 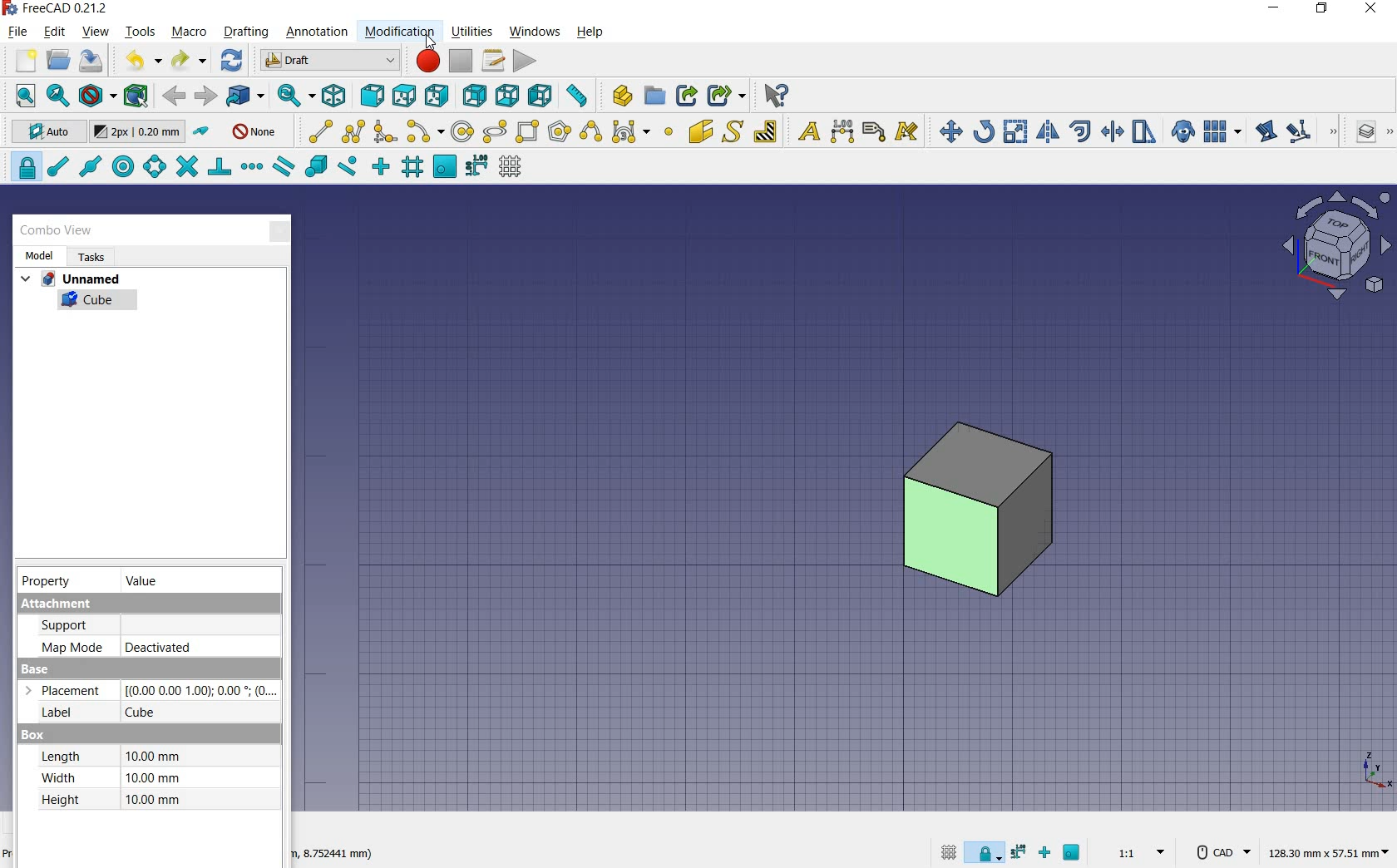 I want to click on sync view, so click(x=295, y=96).